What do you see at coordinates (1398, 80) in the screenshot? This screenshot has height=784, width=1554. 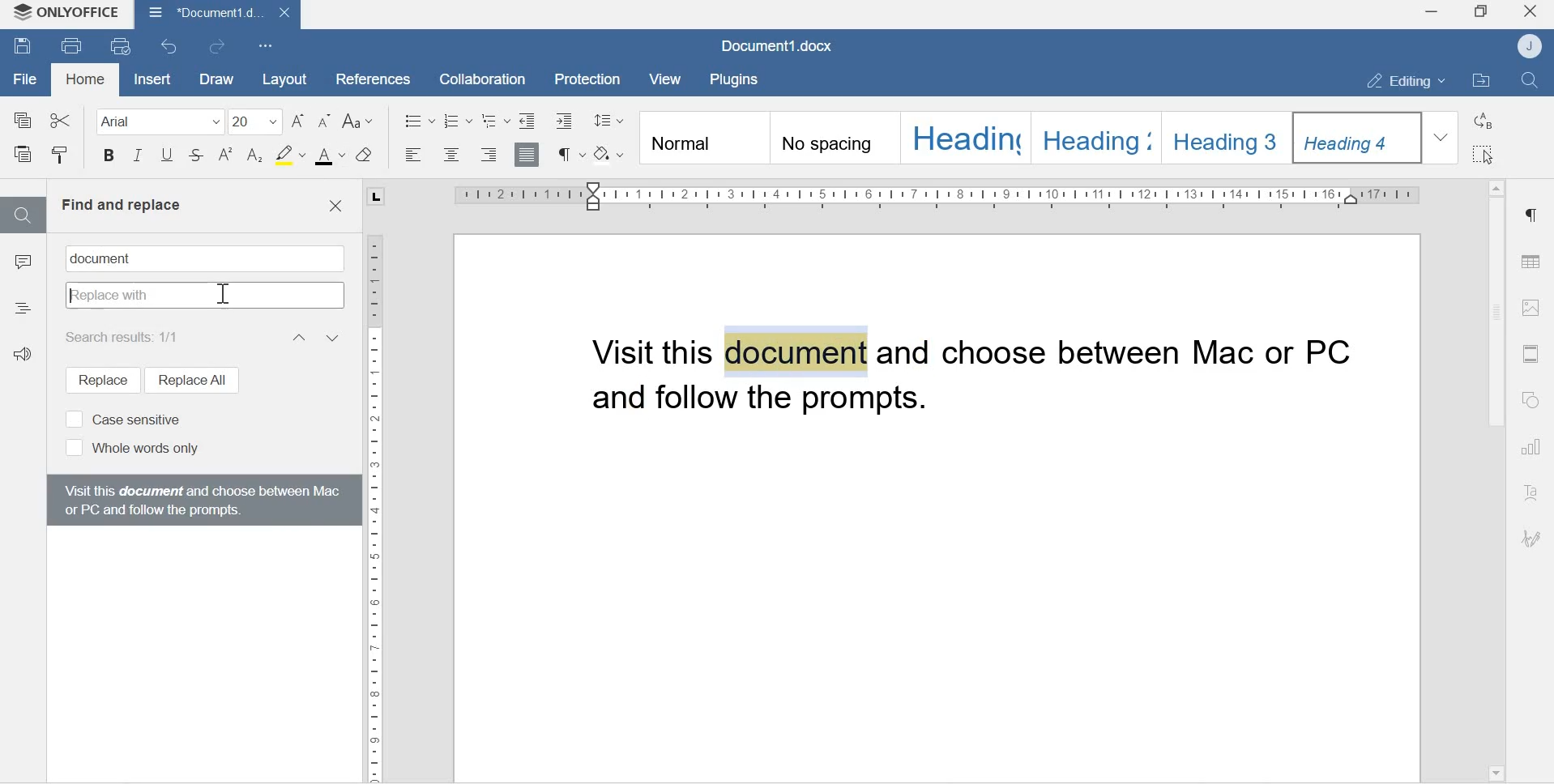 I see `Editing` at bounding box center [1398, 80].